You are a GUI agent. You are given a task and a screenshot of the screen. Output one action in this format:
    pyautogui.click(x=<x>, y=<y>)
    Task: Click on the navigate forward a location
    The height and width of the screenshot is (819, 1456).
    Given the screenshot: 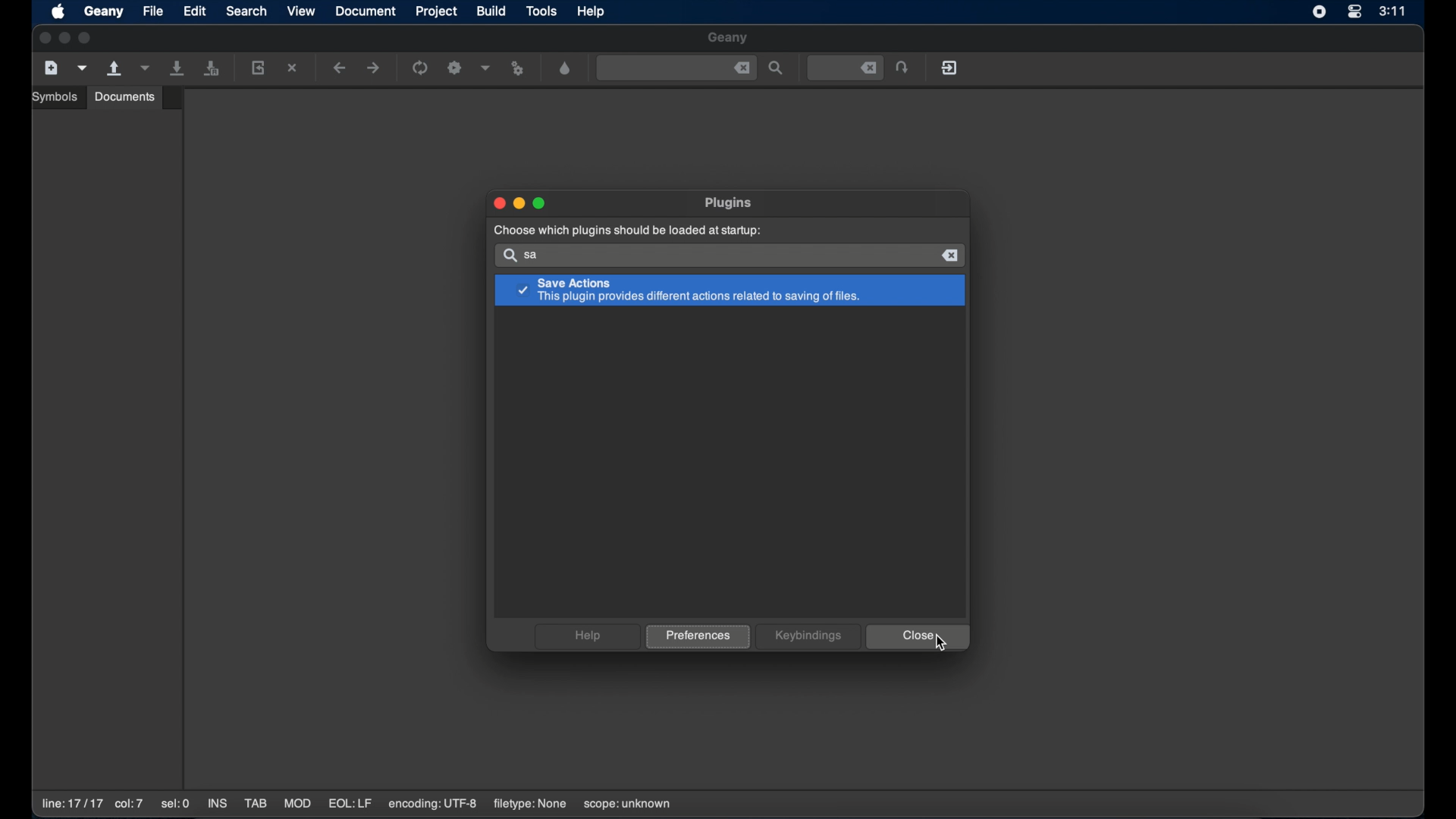 What is the action you would take?
    pyautogui.click(x=374, y=68)
    